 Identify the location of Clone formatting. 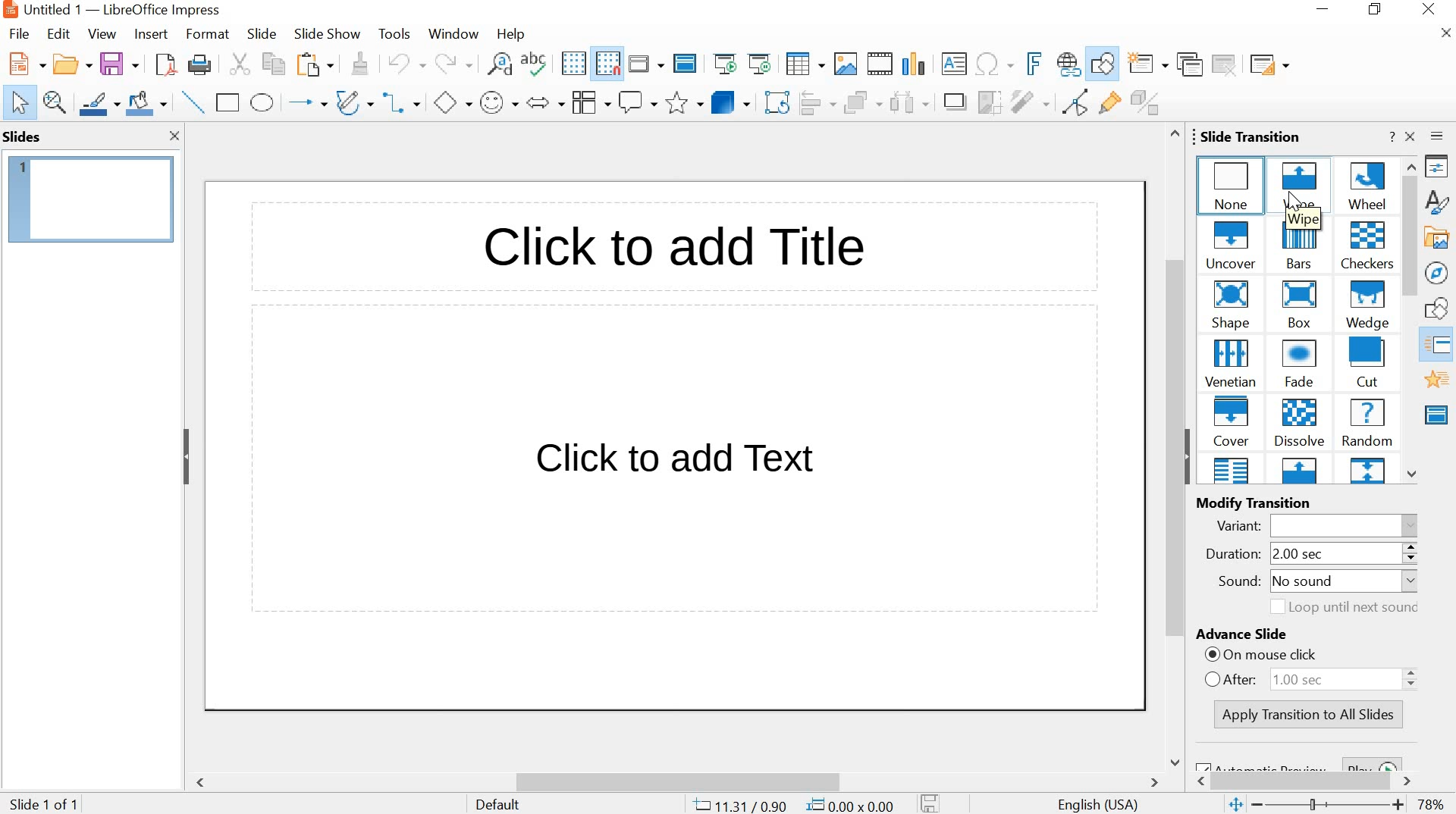
(359, 63).